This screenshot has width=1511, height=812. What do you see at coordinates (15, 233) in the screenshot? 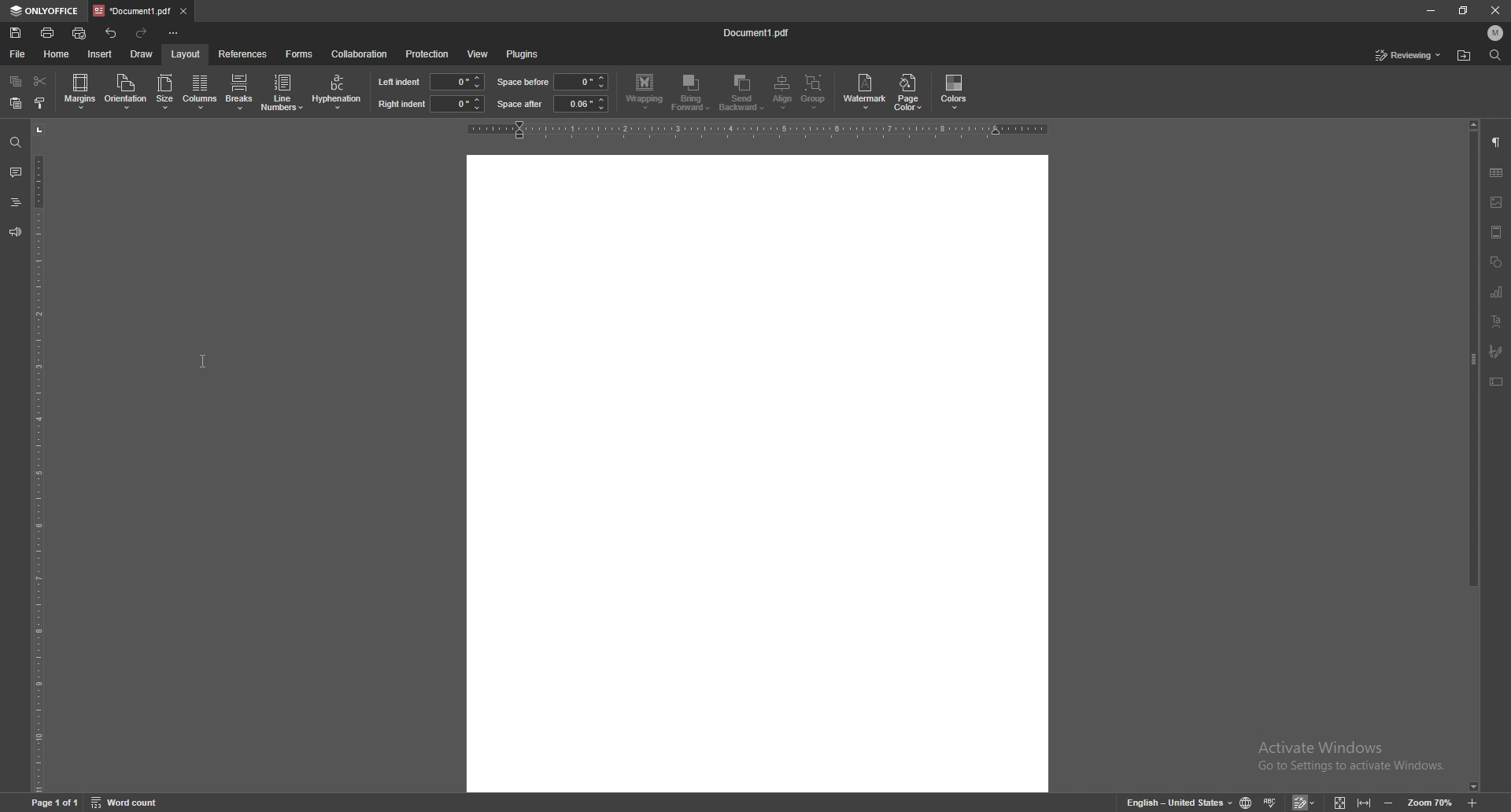
I see `feedback` at bounding box center [15, 233].